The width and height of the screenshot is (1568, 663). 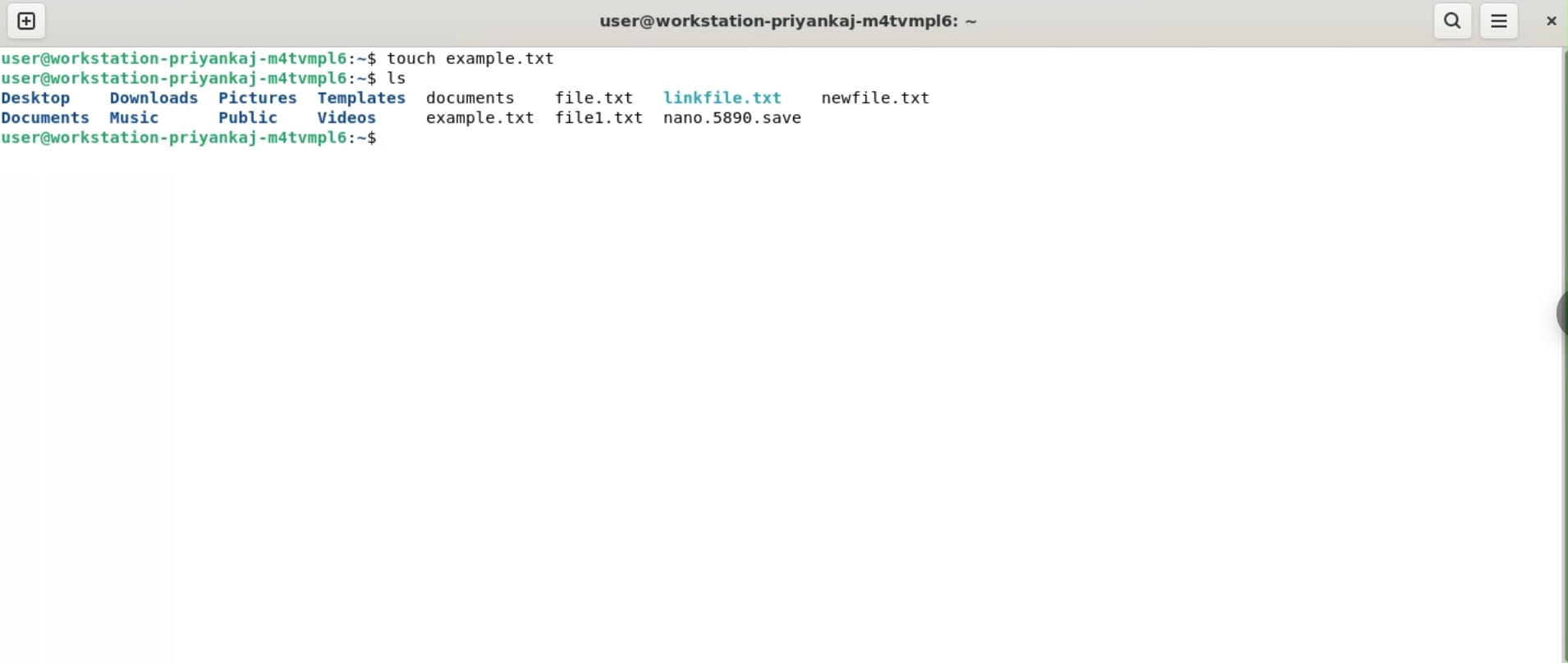 I want to click on newfile.txt, so click(x=877, y=98).